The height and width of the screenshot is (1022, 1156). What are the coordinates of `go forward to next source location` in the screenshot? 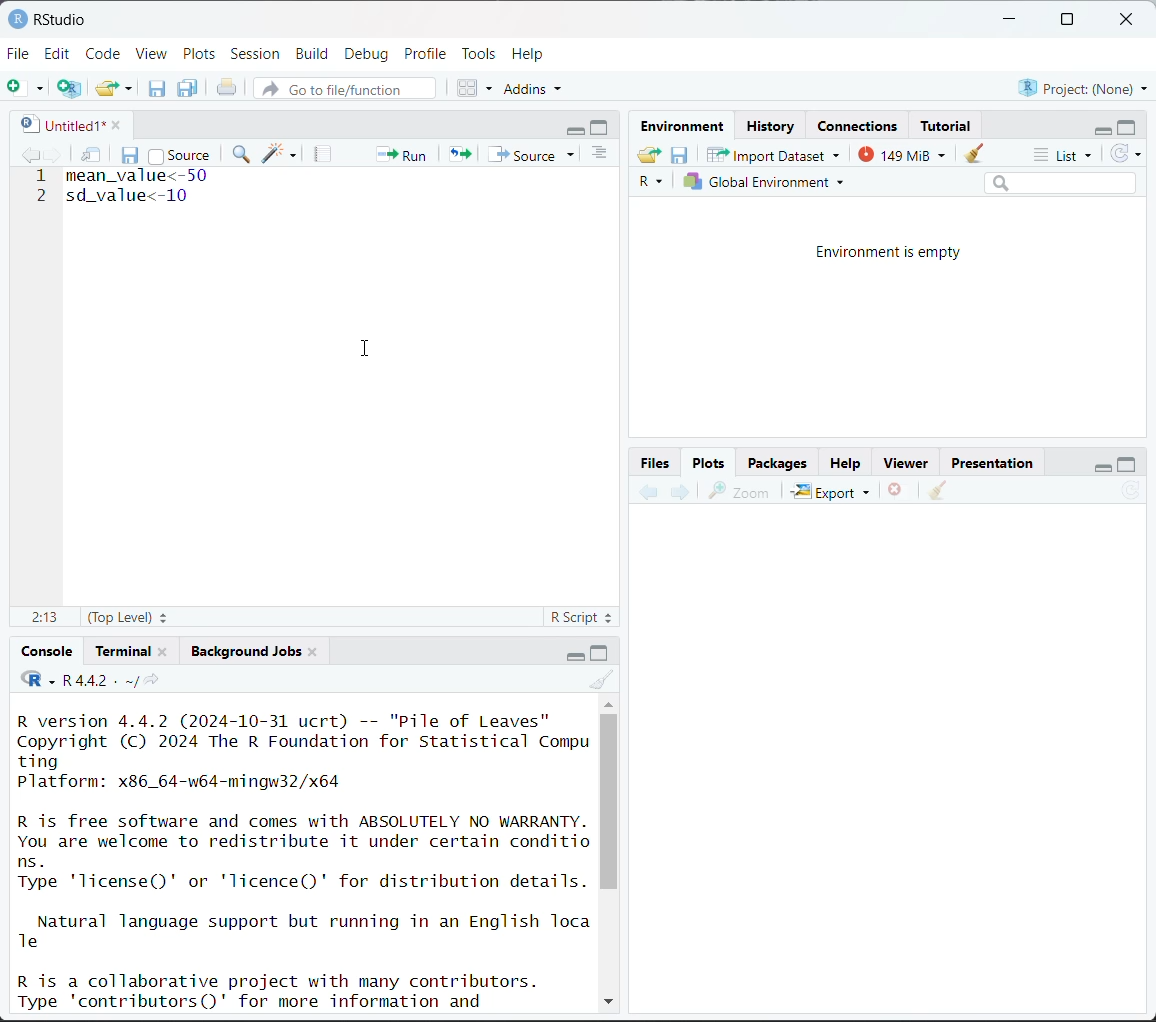 It's located at (54, 156).